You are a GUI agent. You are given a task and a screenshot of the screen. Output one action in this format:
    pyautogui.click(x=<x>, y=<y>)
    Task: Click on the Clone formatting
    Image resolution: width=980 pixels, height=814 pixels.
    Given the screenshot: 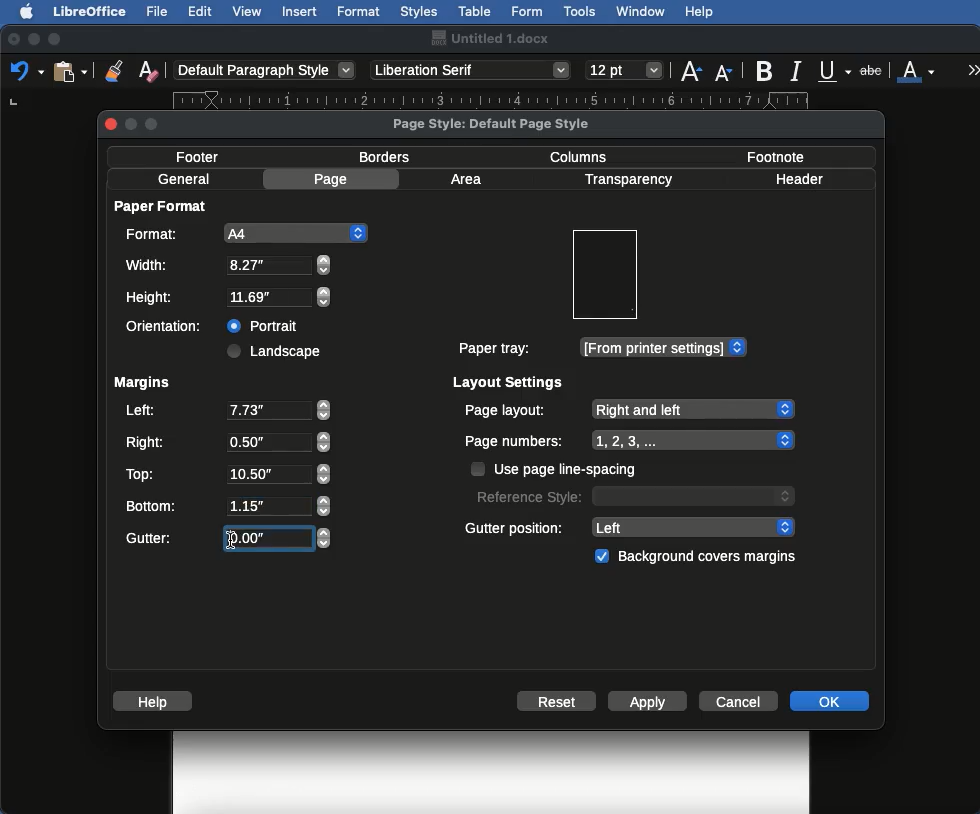 What is the action you would take?
    pyautogui.click(x=114, y=70)
    